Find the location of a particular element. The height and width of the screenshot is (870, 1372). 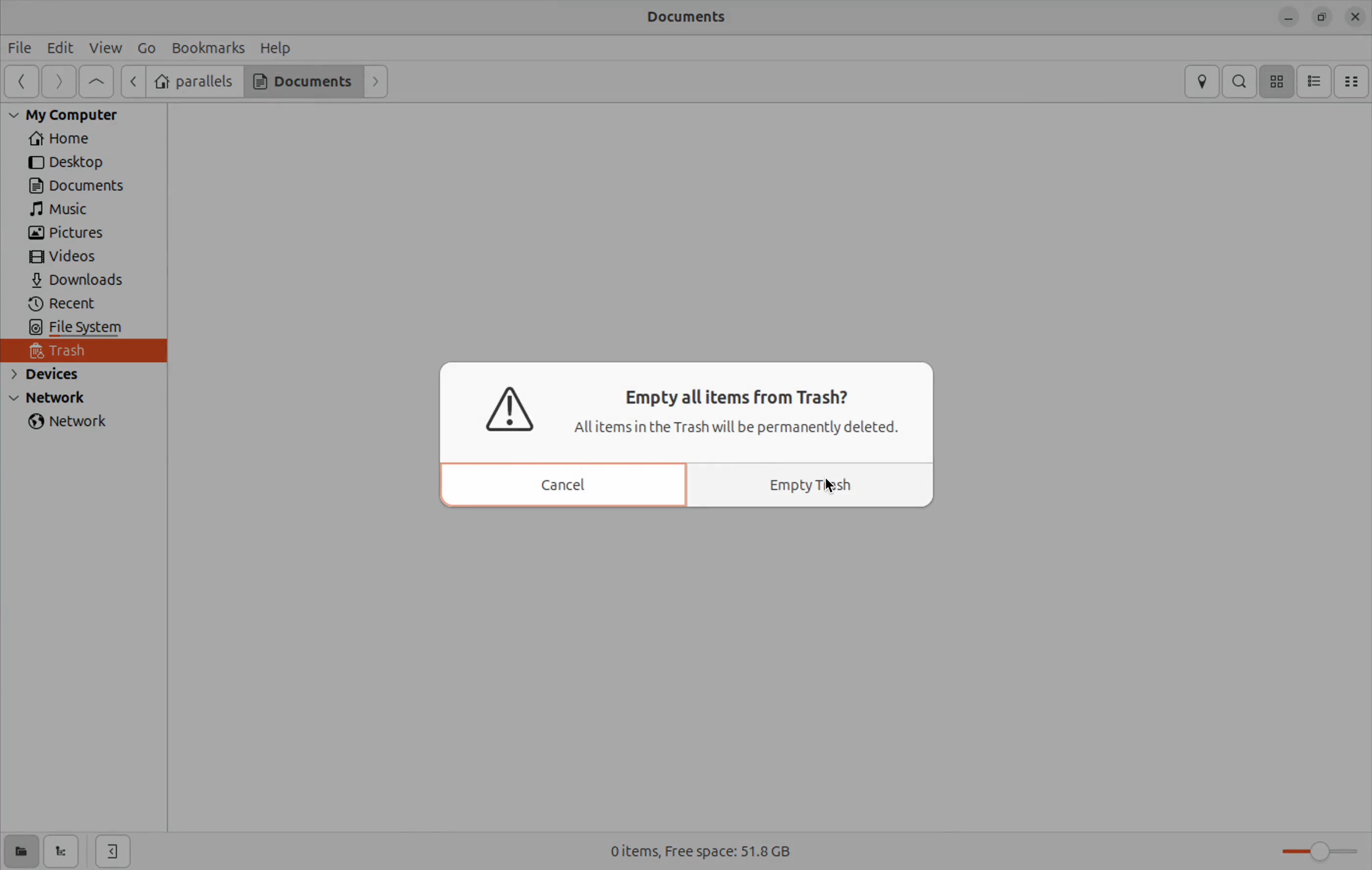

next is located at coordinates (132, 80).